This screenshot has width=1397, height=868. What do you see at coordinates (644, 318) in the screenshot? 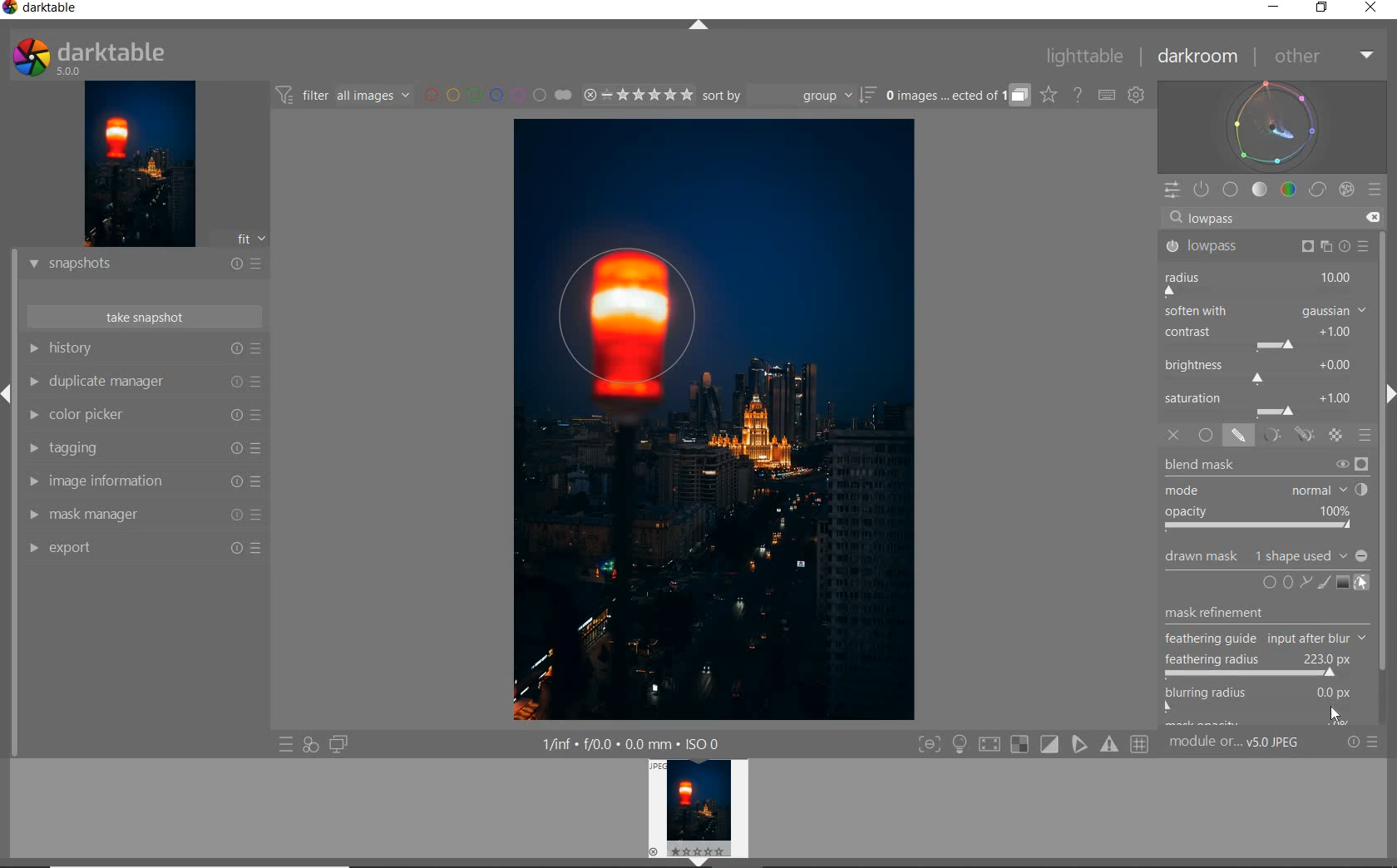
I see `DRAWN CIRCLE MASK` at bounding box center [644, 318].